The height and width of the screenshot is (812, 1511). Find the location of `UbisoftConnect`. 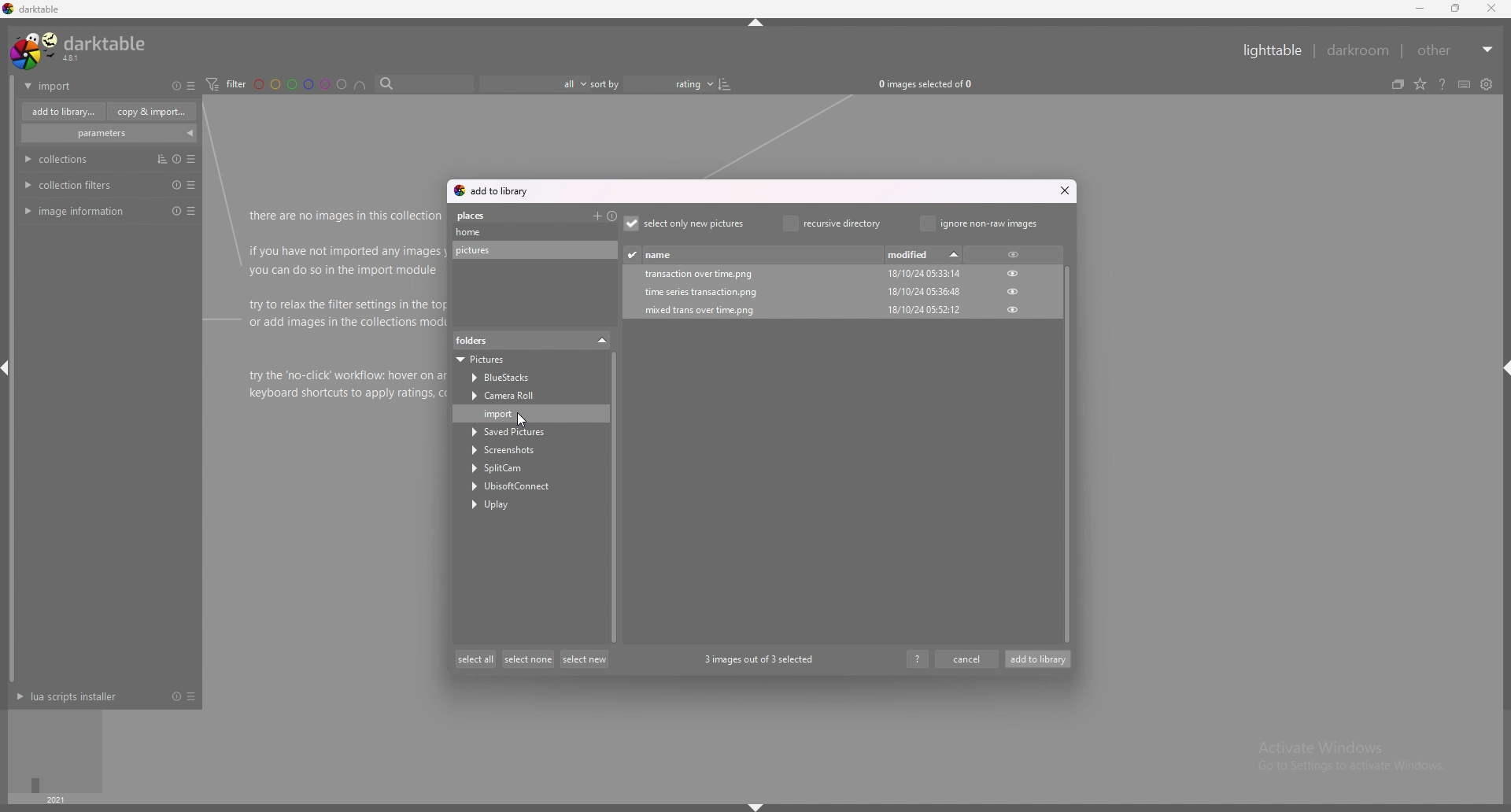

UbisoftConnect is located at coordinates (524, 485).